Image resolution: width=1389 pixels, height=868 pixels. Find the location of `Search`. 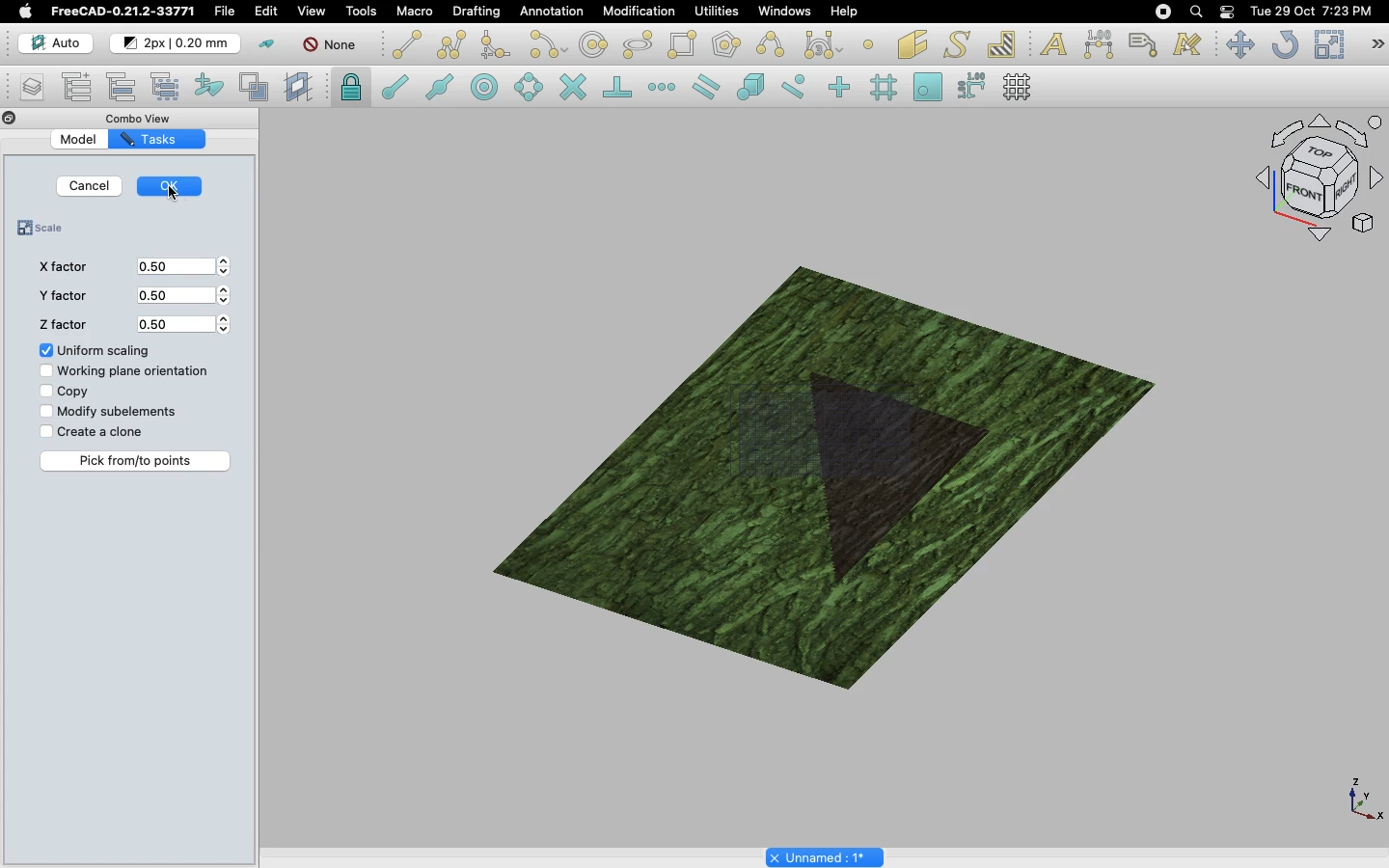

Search is located at coordinates (1195, 12).